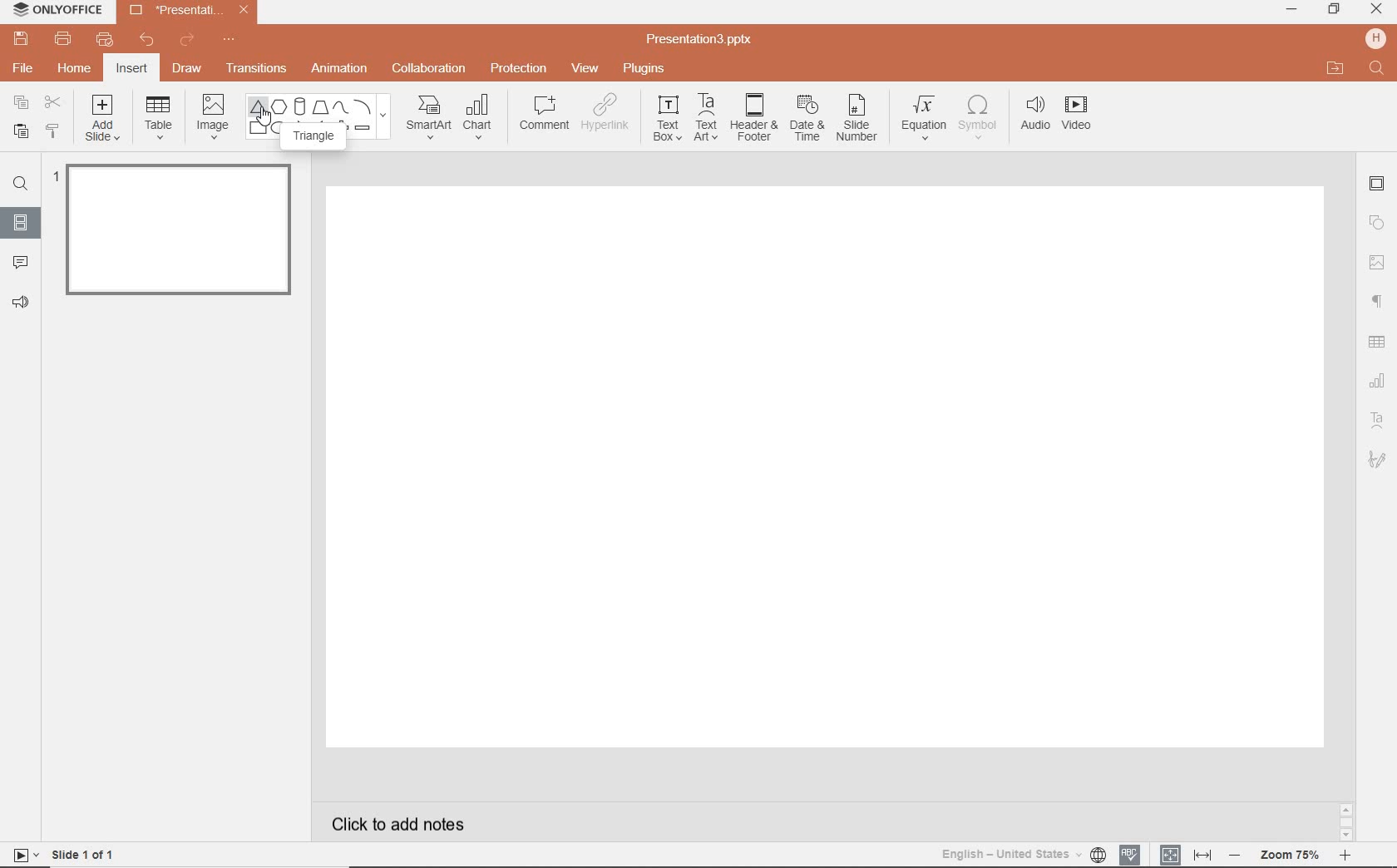 The image size is (1397, 868). Describe the element at coordinates (212, 118) in the screenshot. I see `IMAGE` at that location.